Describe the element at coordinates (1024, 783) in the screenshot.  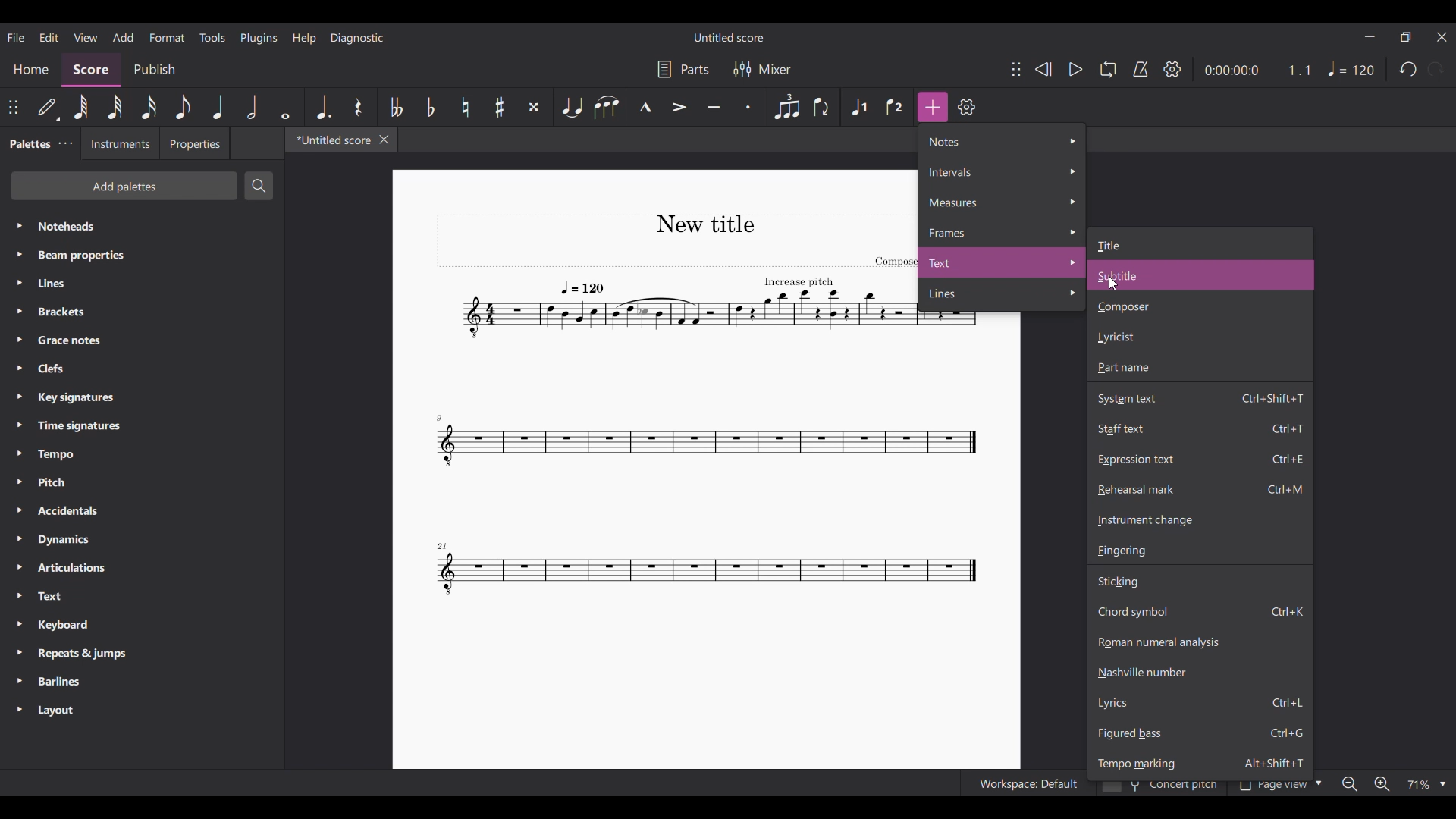
I see `Workspace: Default` at that location.